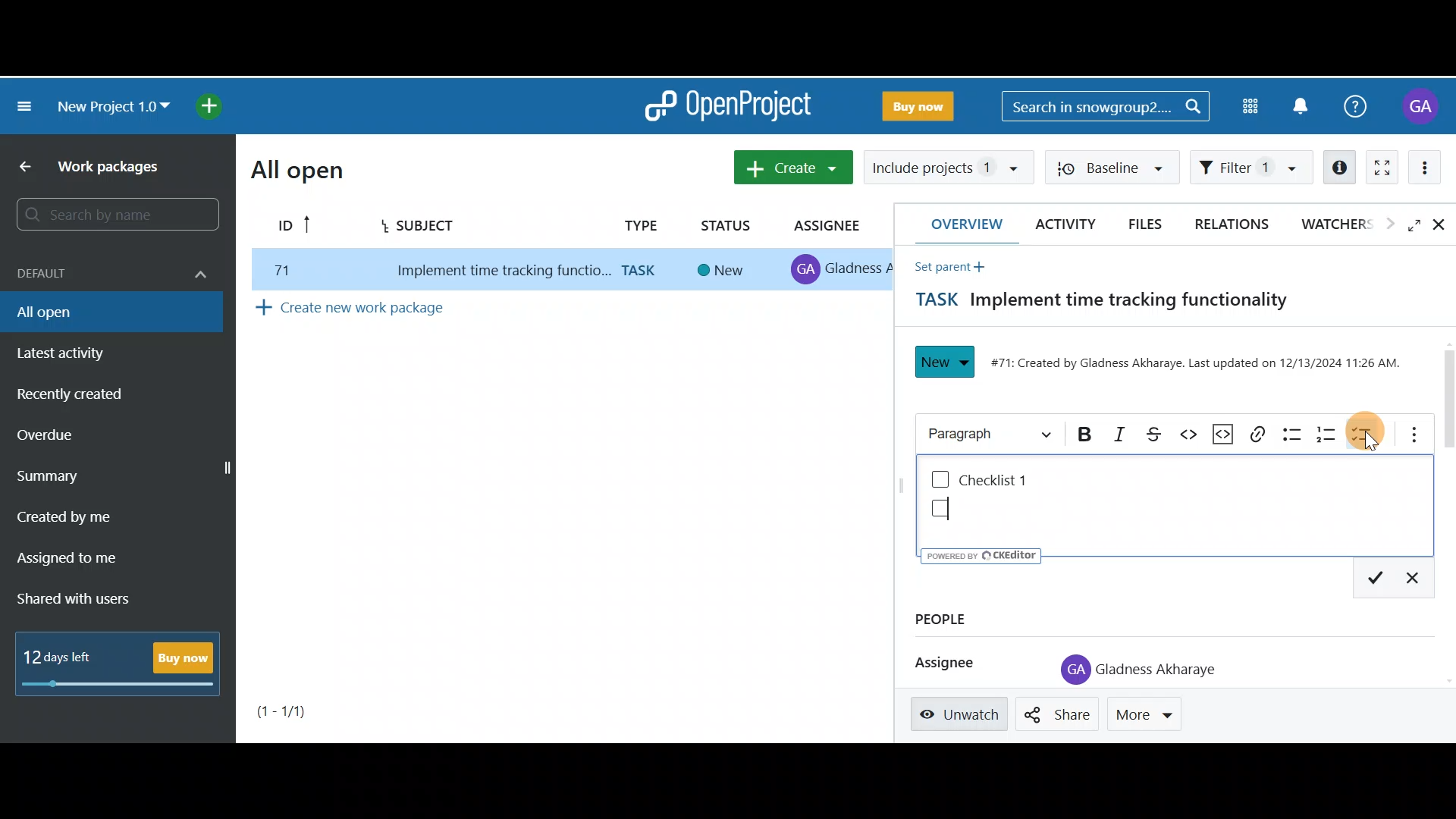 The image size is (1456, 819). I want to click on Create, so click(788, 165).